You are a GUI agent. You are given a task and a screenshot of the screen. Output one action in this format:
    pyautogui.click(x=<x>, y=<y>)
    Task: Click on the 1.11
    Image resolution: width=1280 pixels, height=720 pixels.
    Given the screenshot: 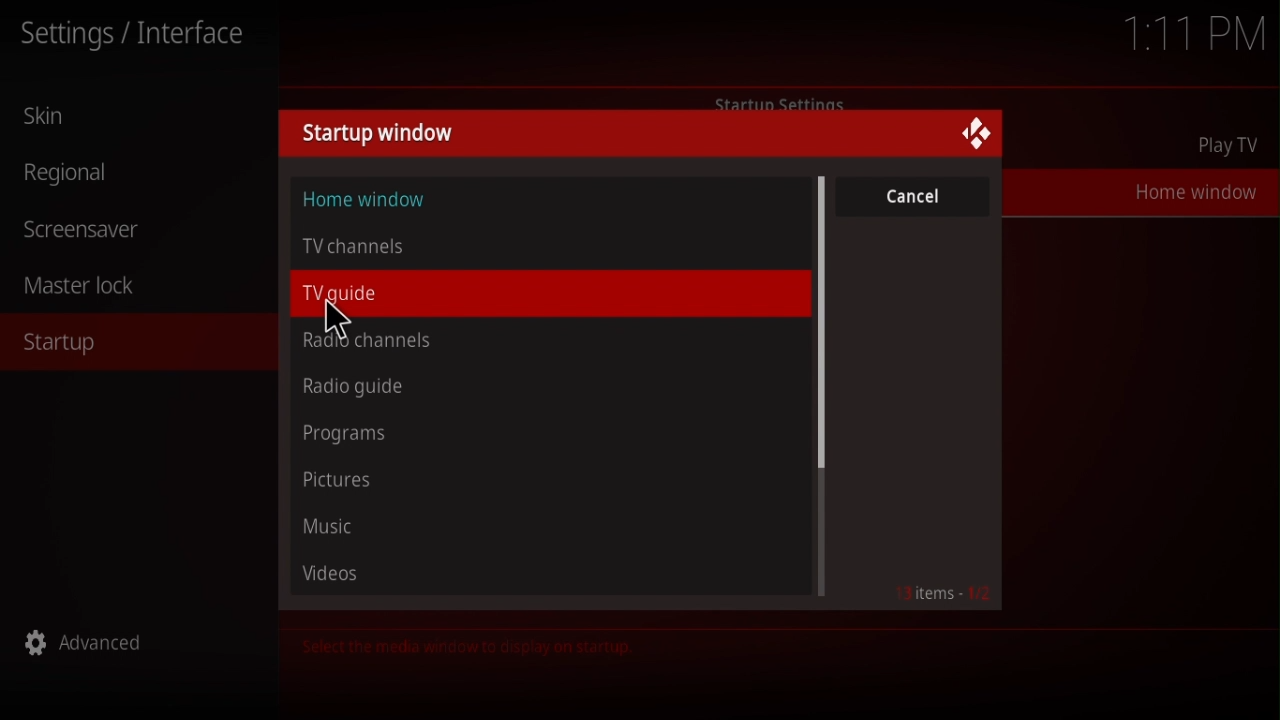 What is the action you would take?
    pyautogui.click(x=1196, y=35)
    